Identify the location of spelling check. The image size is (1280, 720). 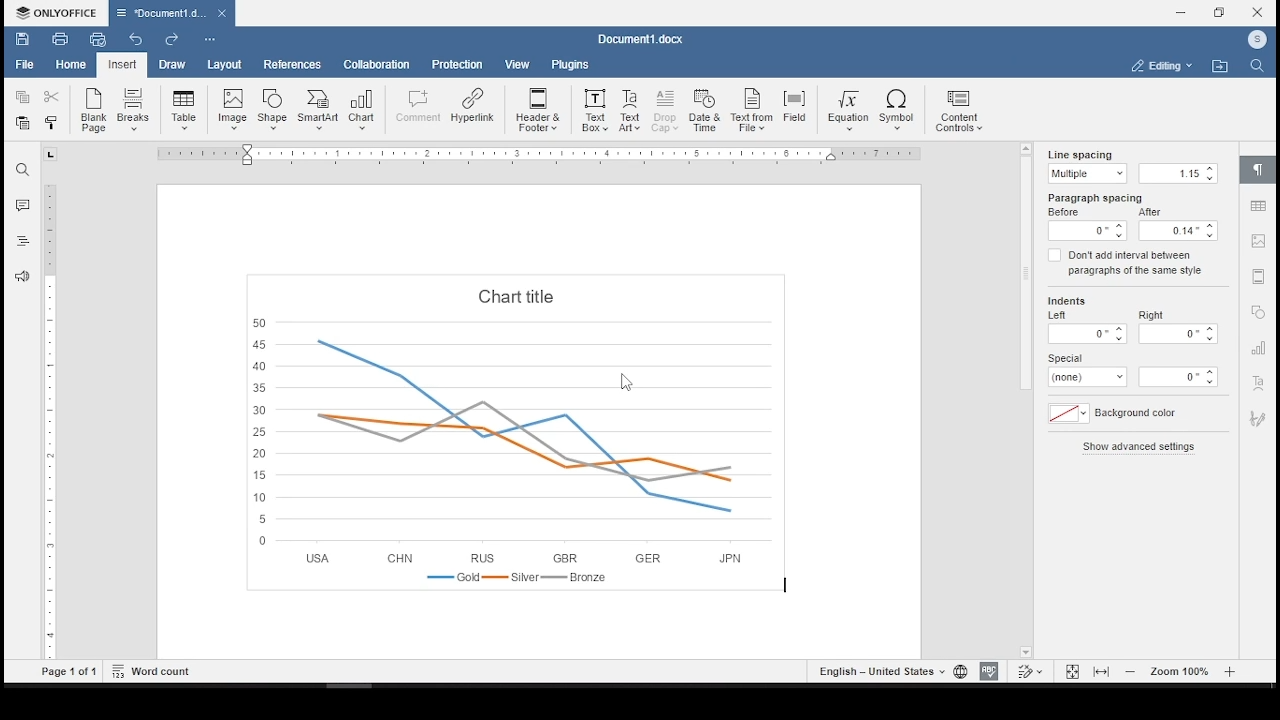
(988, 671).